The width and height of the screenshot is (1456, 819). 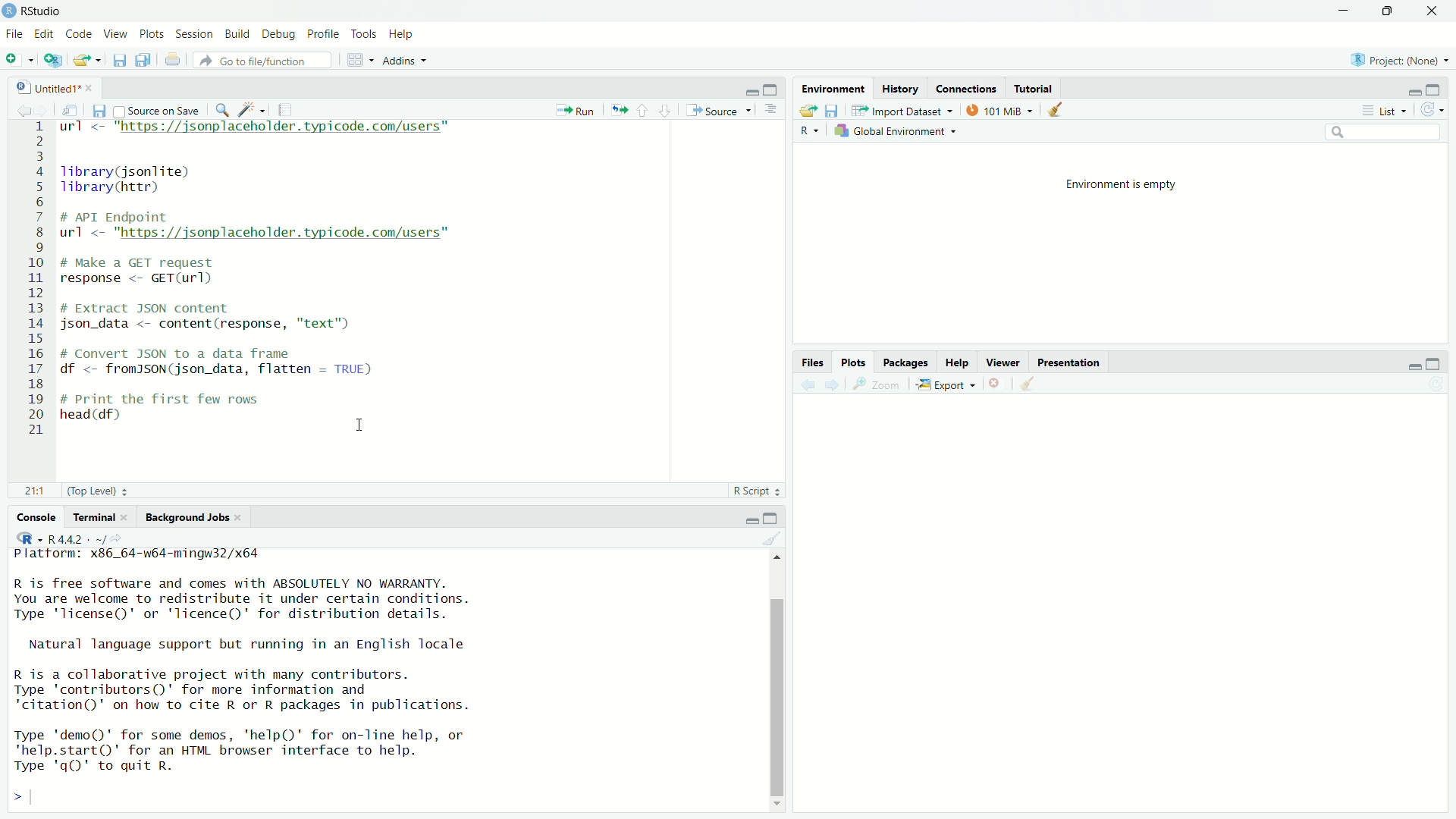 What do you see at coordinates (771, 90) in the screenshot?
I see `Maximize` at bounding box center [771, 90].